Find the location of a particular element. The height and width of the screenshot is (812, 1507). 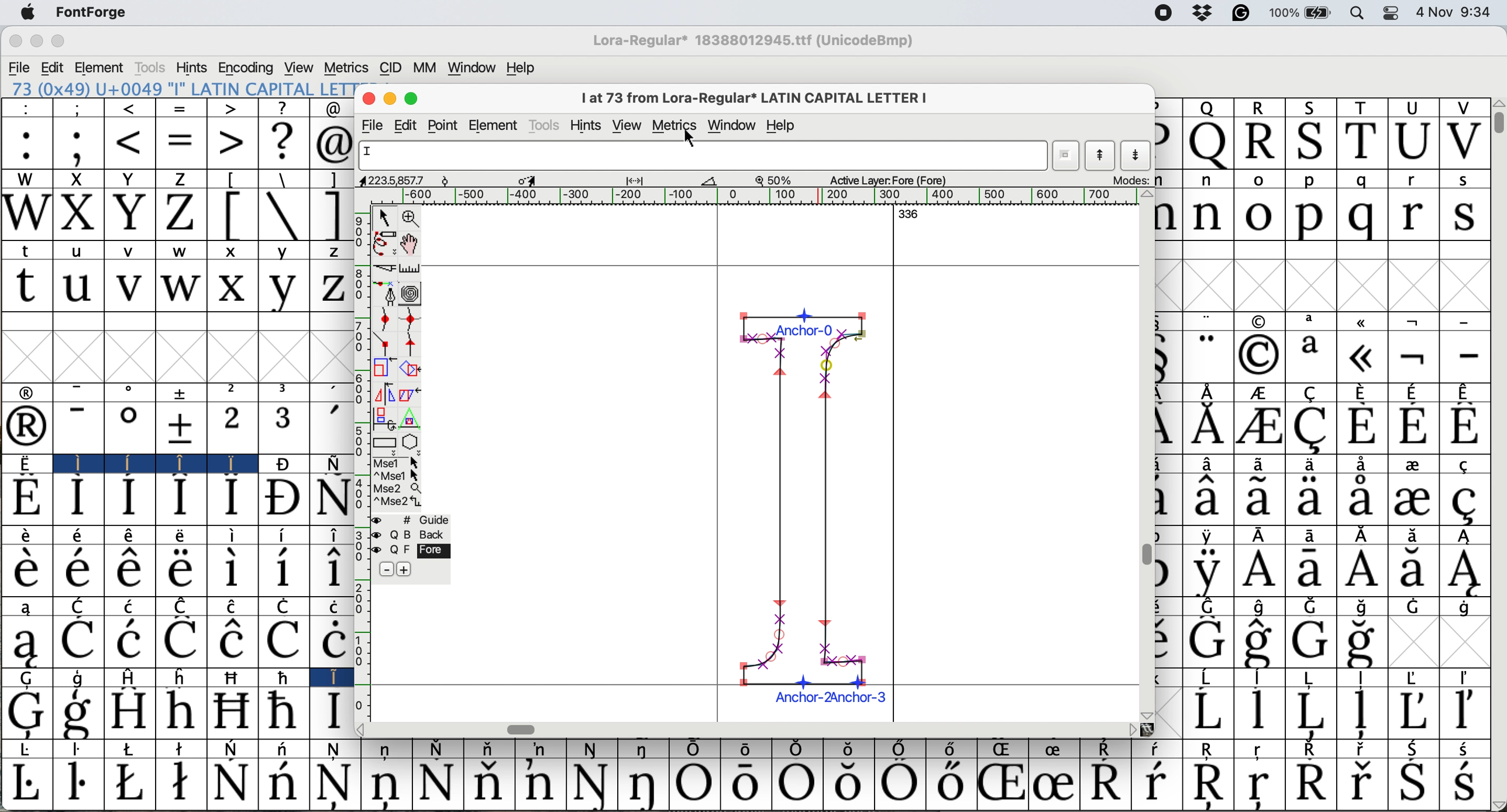

> is located at coordinates (232, 142).